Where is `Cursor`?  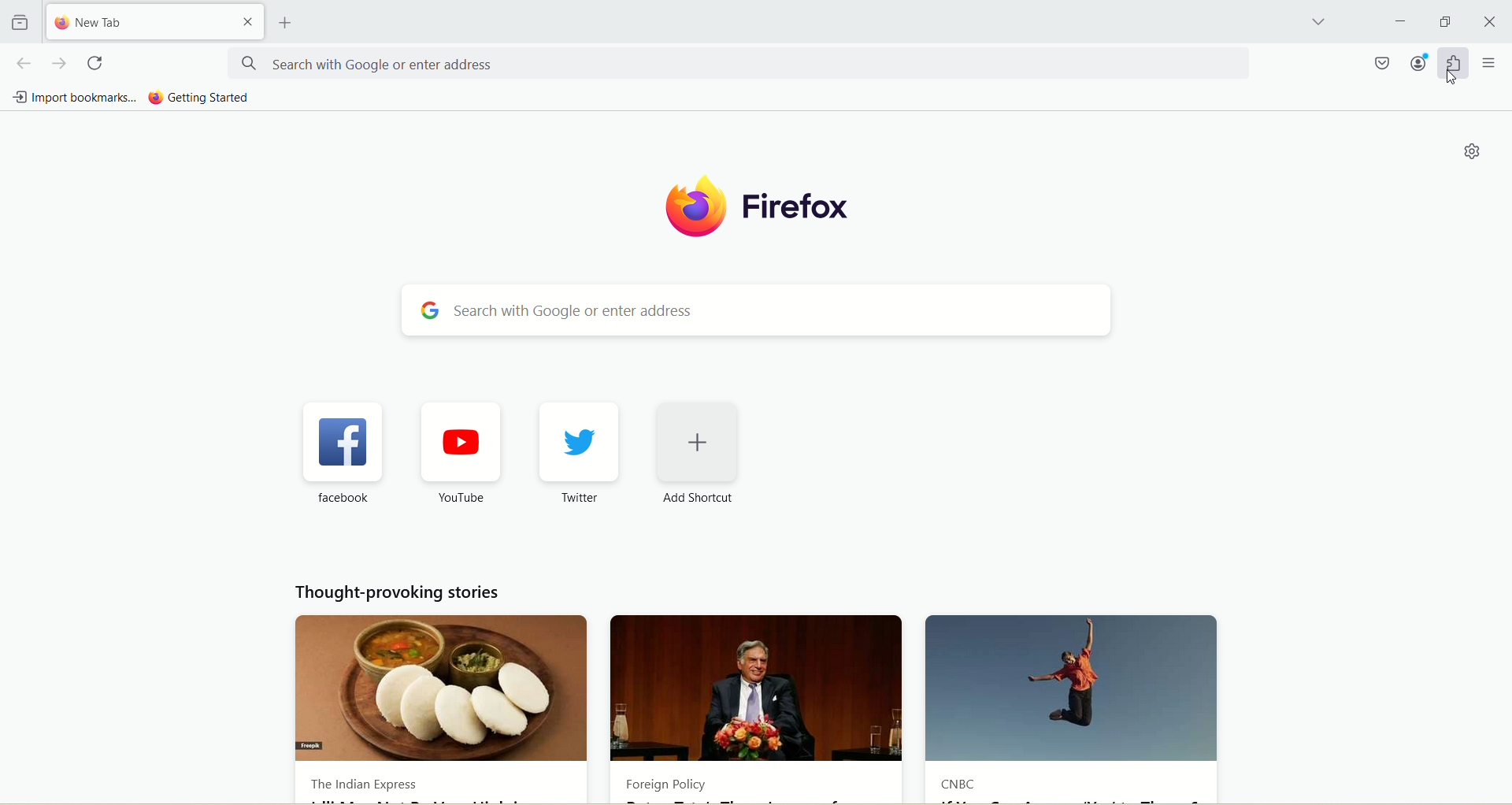 Cursor is located at coordinates (1451, 77).